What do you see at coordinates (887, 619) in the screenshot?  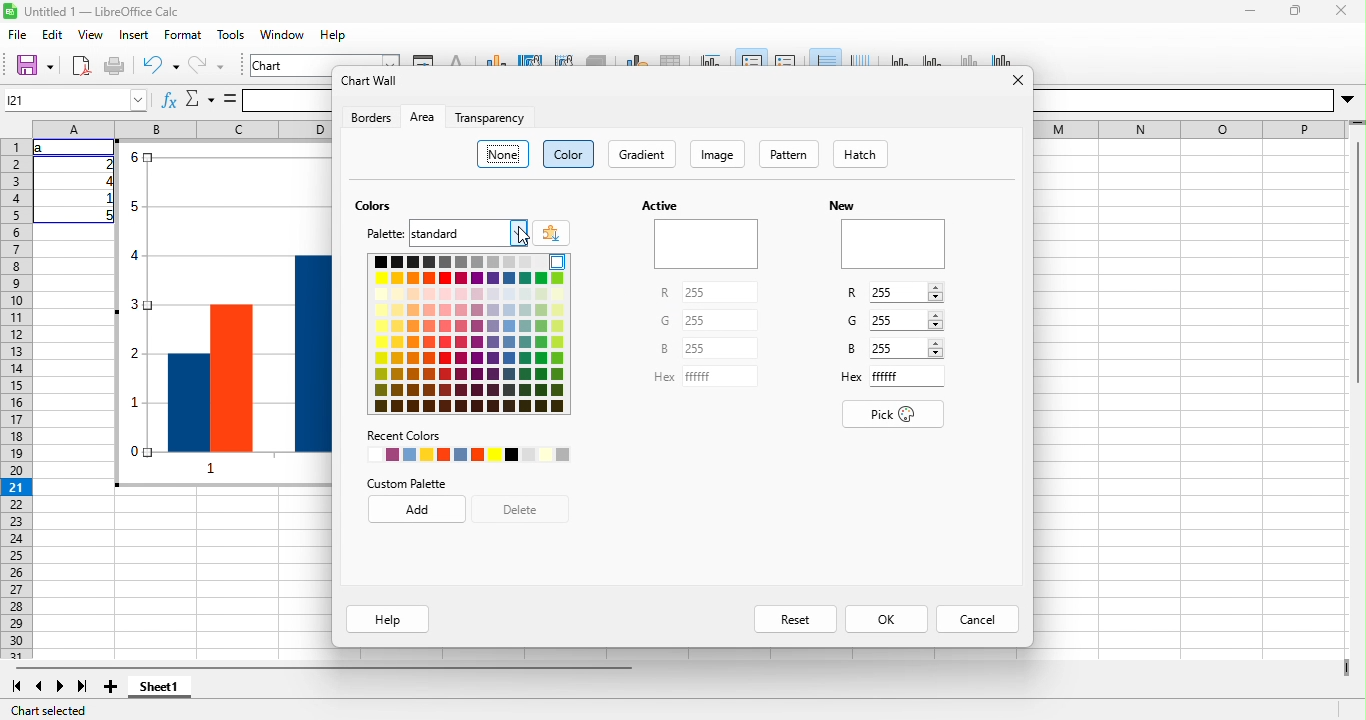 I see `ok` at bounding box center [887, 619].